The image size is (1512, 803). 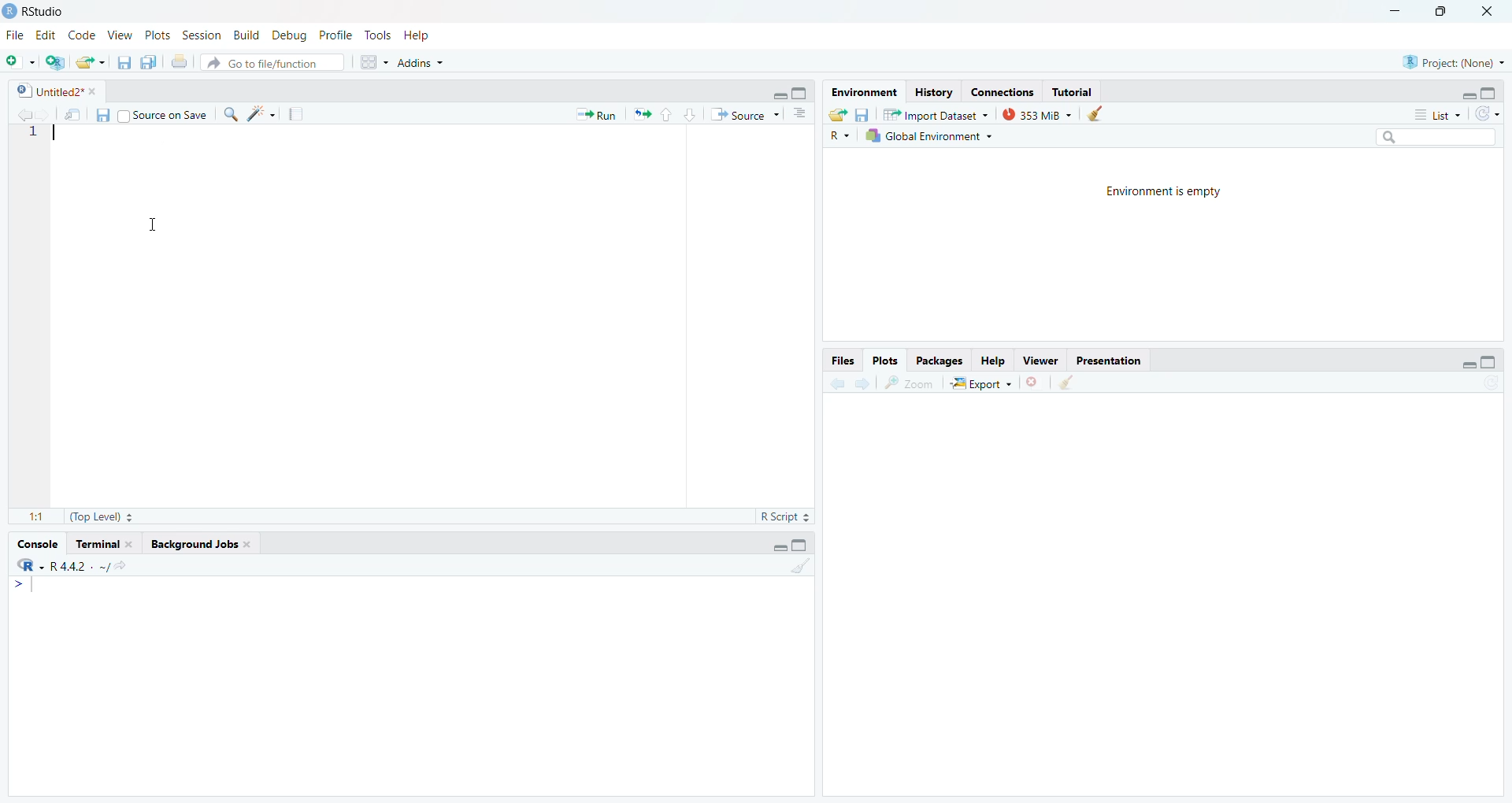 I want to click on R Script 3, so click(x=787, y=515).